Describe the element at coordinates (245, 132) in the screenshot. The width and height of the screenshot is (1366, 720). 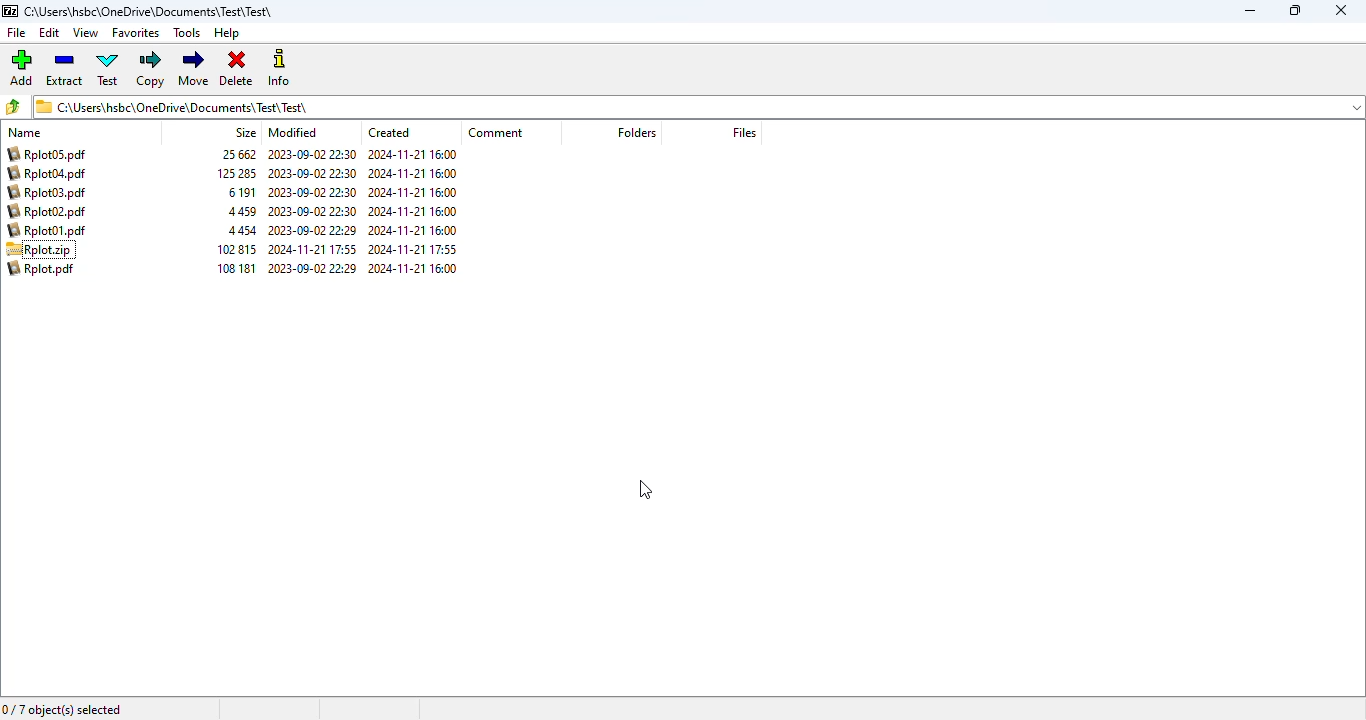
I see `size` at that location.